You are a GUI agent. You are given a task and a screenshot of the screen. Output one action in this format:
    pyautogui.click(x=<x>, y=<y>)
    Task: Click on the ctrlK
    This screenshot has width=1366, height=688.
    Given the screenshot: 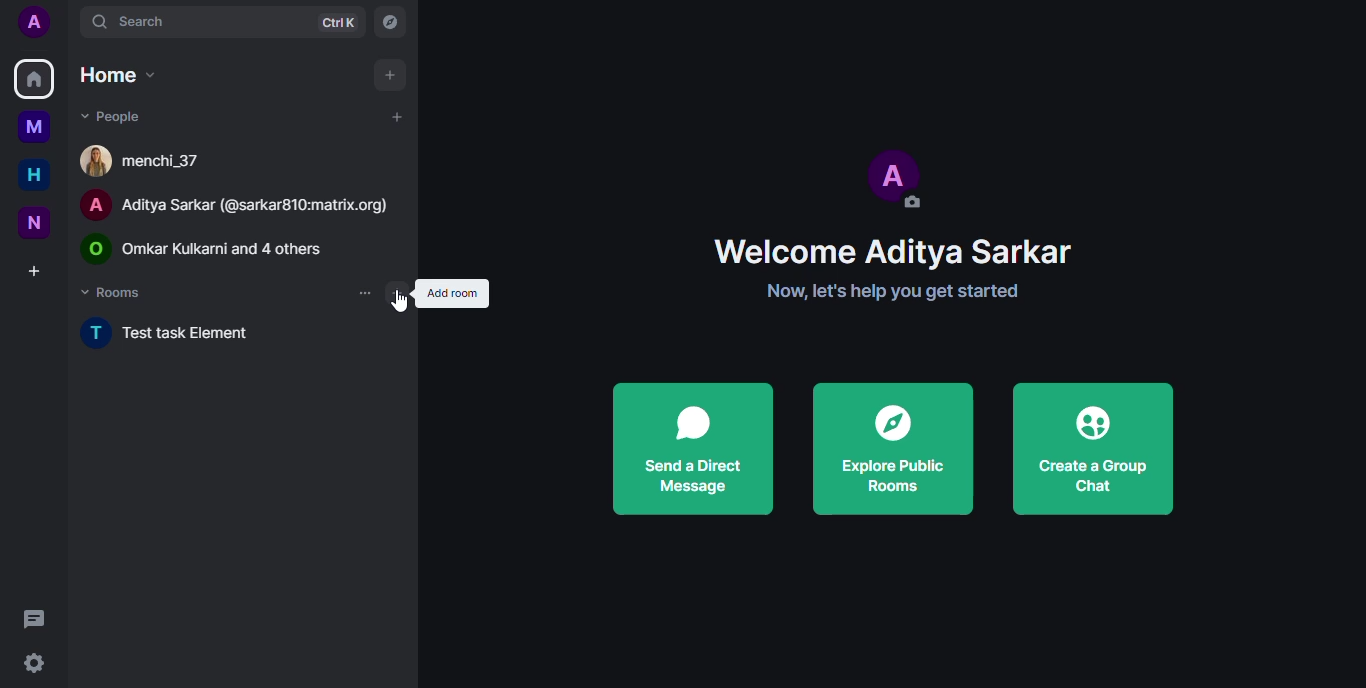 What is the action you would take?
    pyautogui.click(x=339, y=22)
    